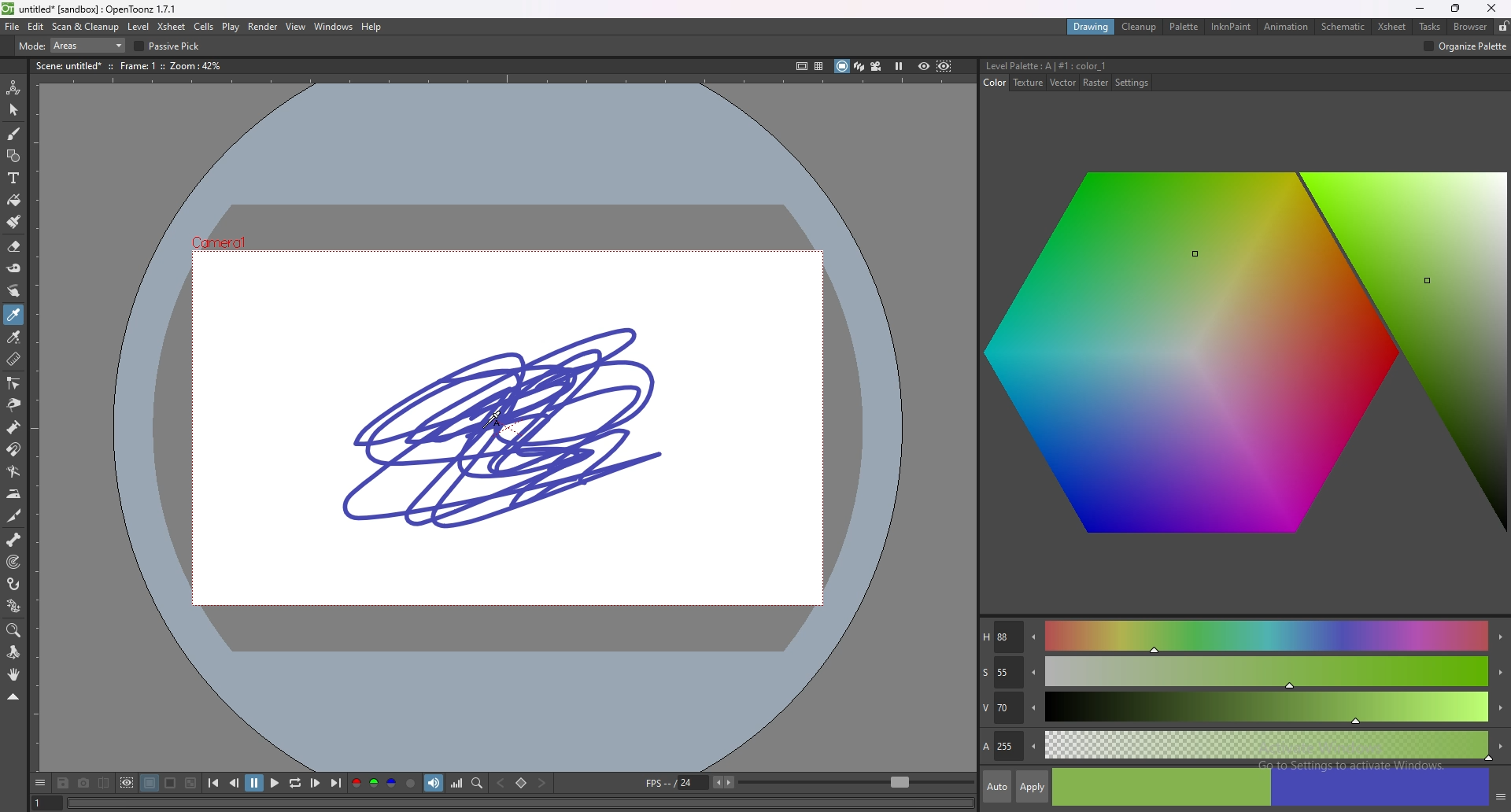  I want to click on level, so click(139, 26).